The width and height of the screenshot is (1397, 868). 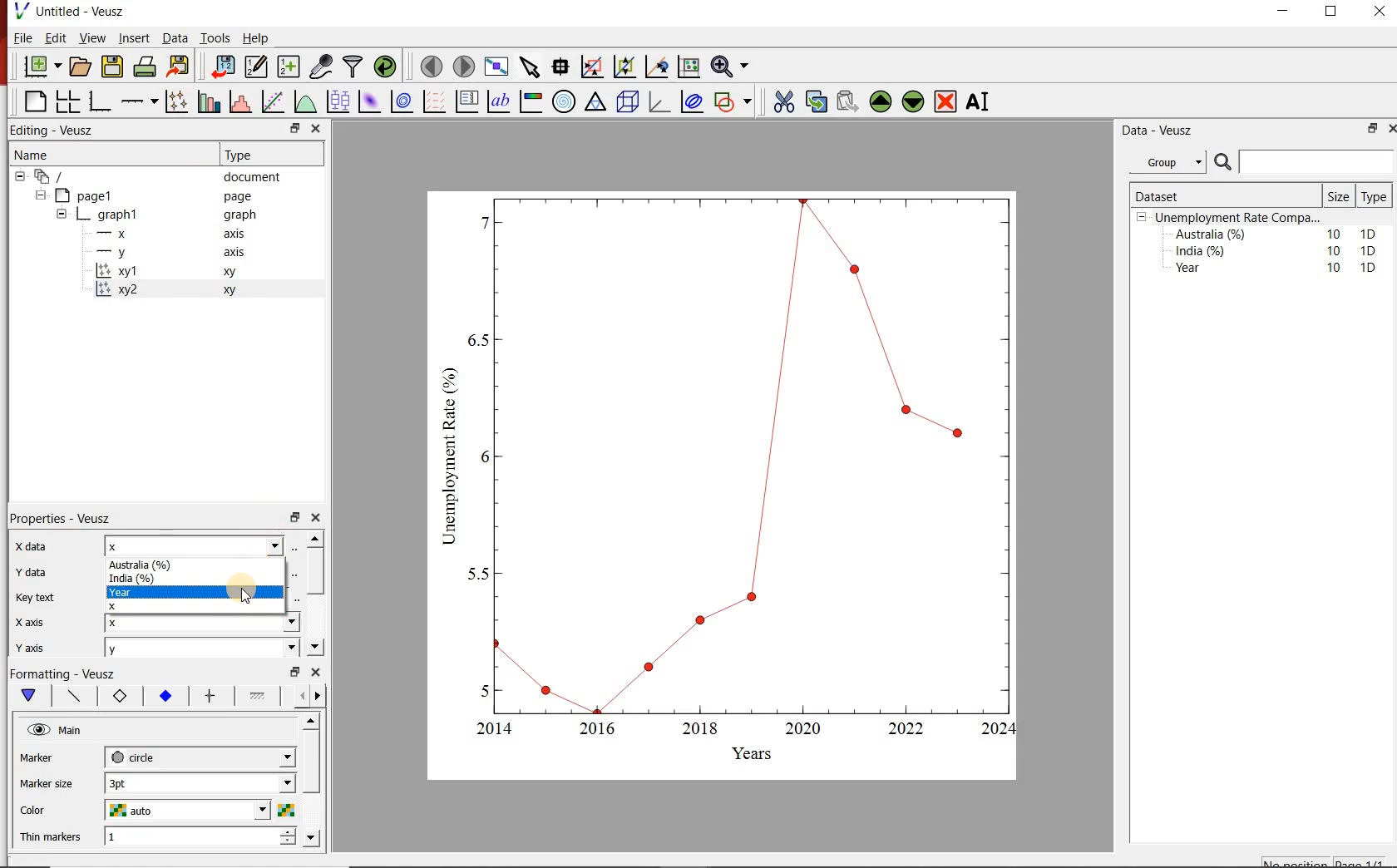 I want to click on plot 2d datasets as image, so click(x=369, y=101).